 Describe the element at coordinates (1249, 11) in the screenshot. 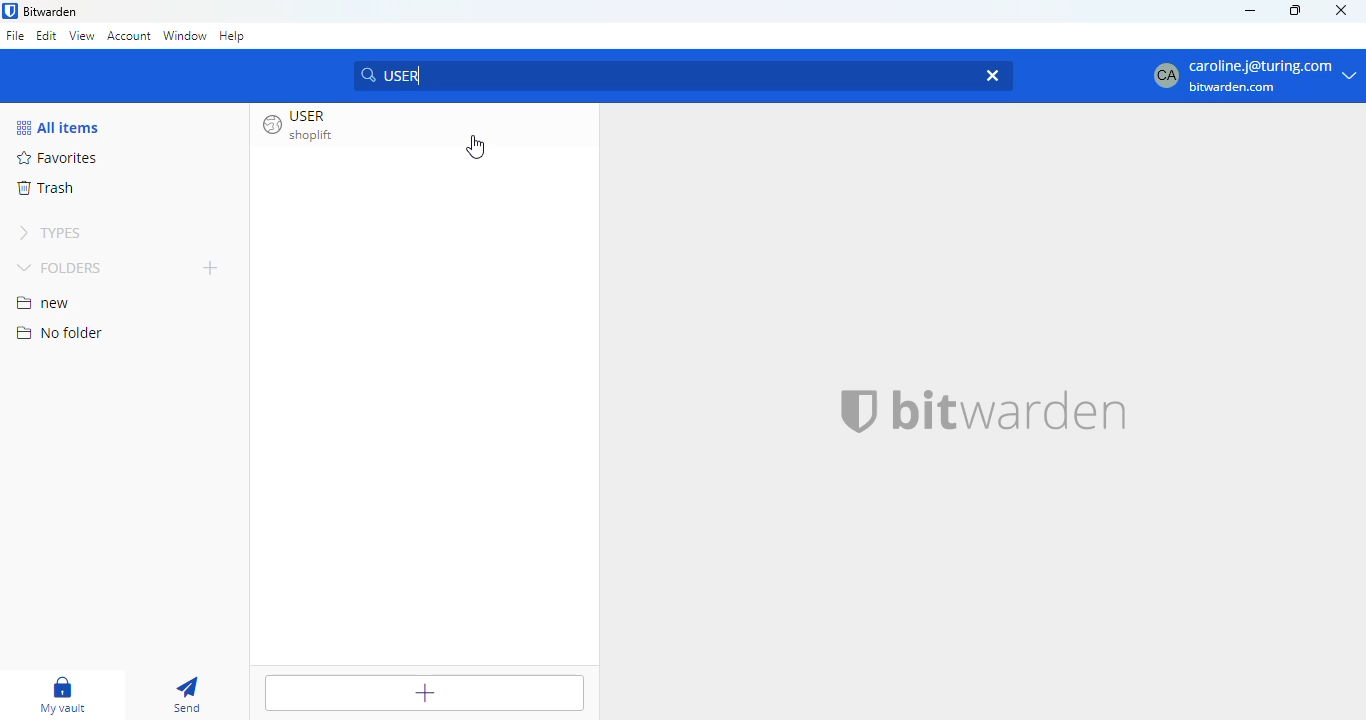

I see `minimize` at that location.